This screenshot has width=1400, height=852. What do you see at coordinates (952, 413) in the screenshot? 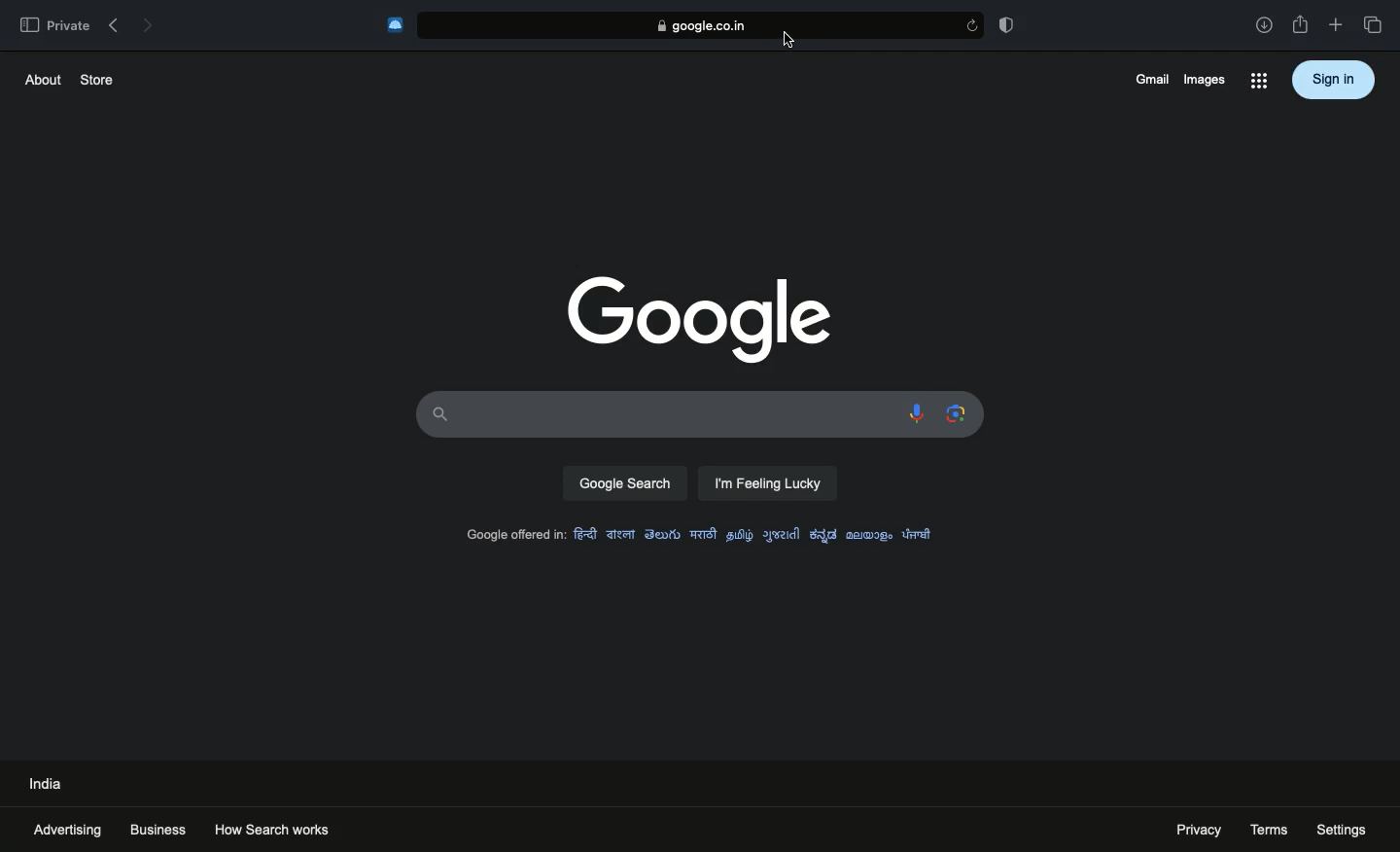
I see `Scanner` at bounding box center [952, 413].